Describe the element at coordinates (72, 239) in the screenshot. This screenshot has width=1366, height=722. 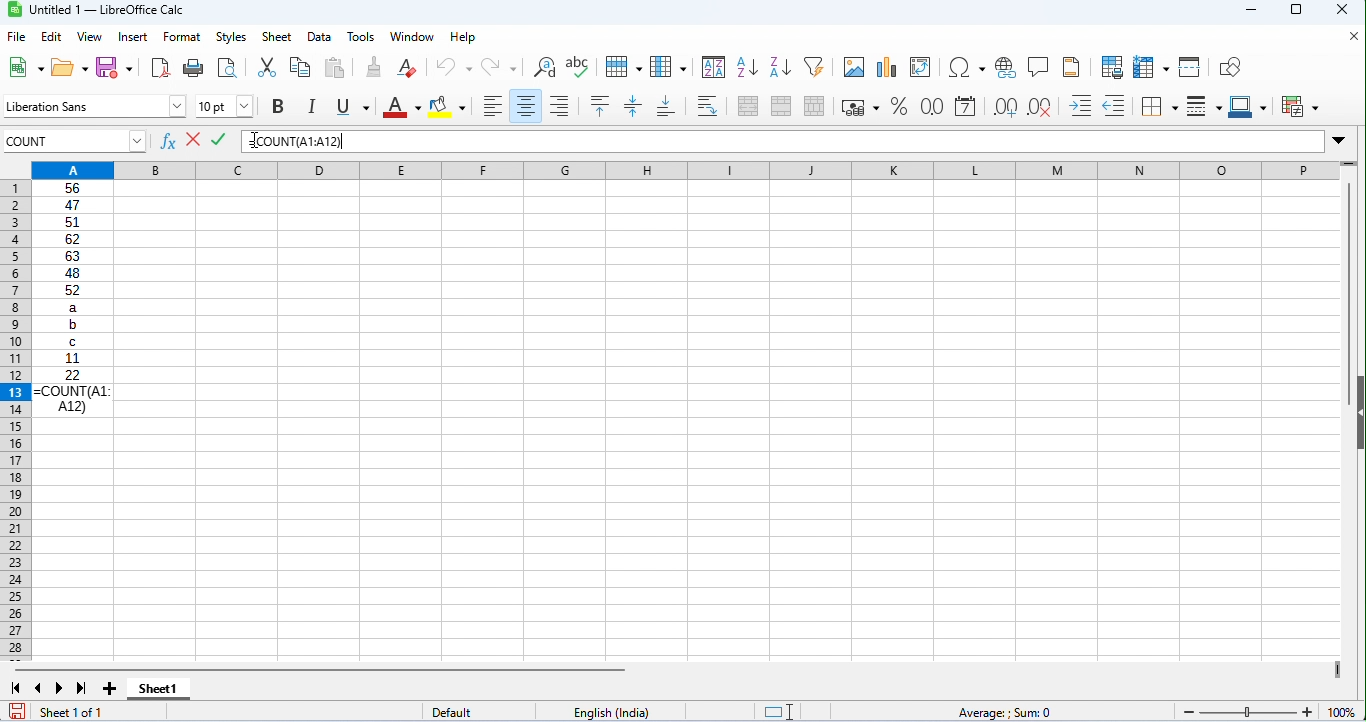
I see `62` at that location.